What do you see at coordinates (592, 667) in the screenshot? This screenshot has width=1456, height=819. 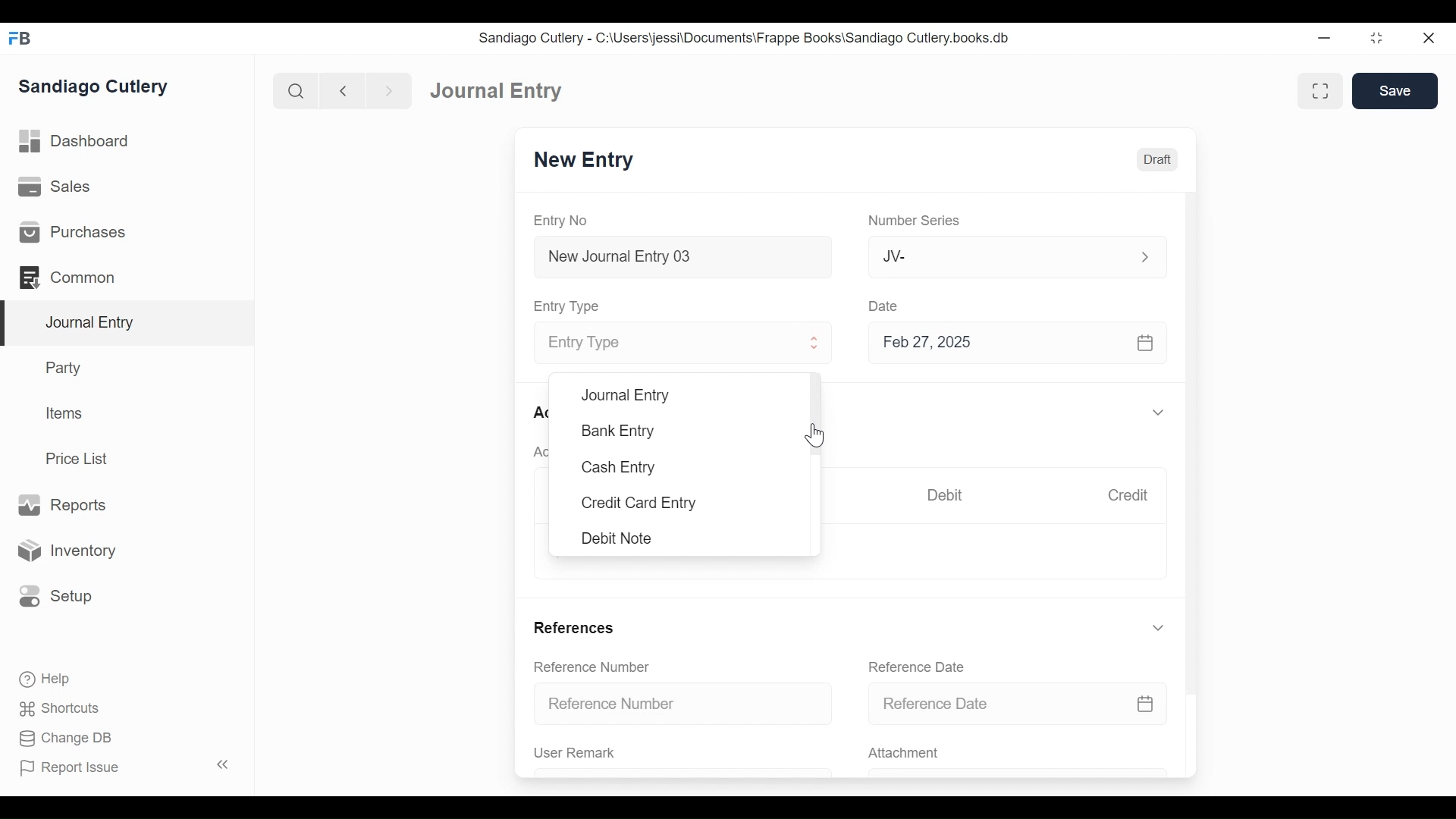 I see `Reference Number` at bounding box center [592, 667].